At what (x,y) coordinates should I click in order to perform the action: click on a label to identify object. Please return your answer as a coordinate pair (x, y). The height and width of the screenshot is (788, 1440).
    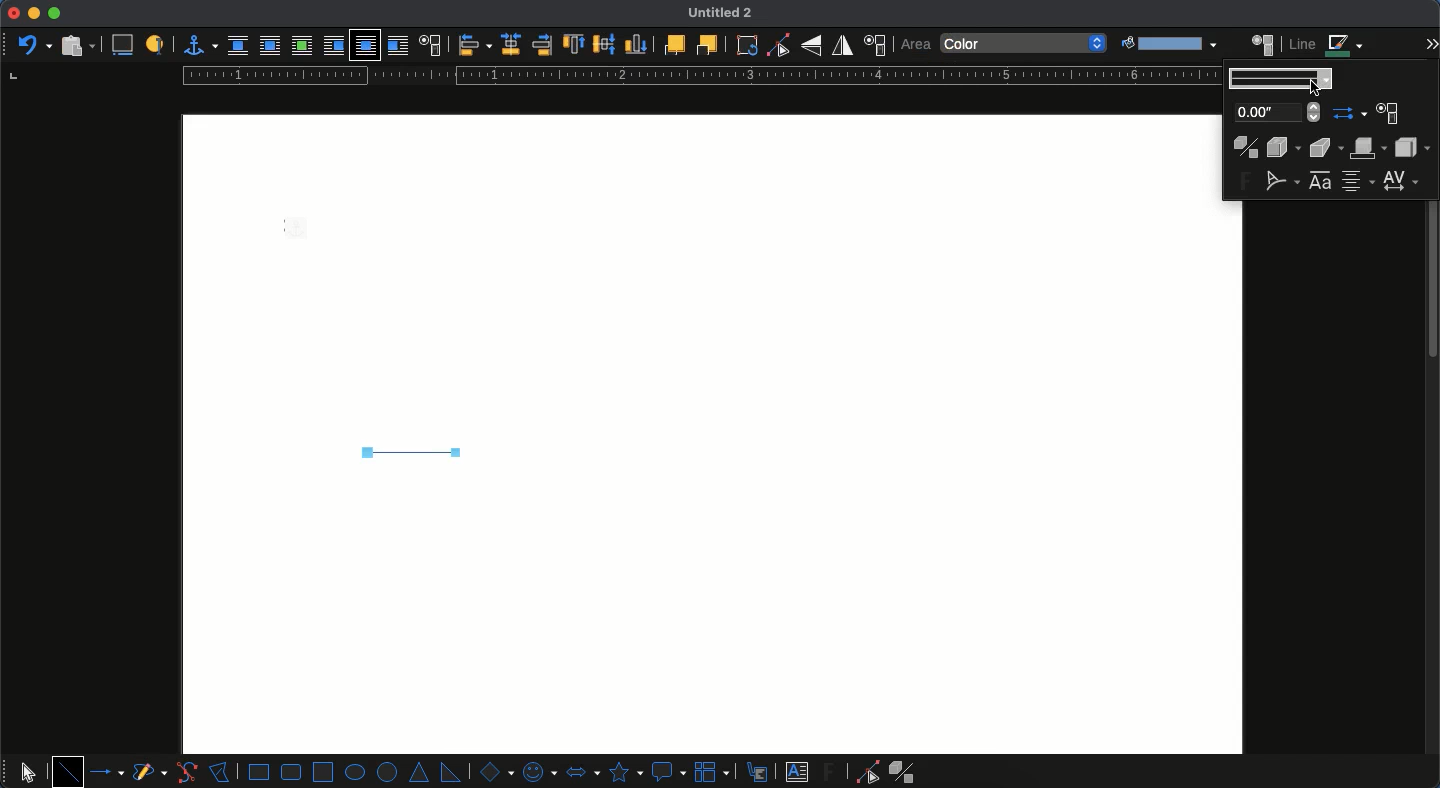
    Looking at the image, I should click on (155, 46).